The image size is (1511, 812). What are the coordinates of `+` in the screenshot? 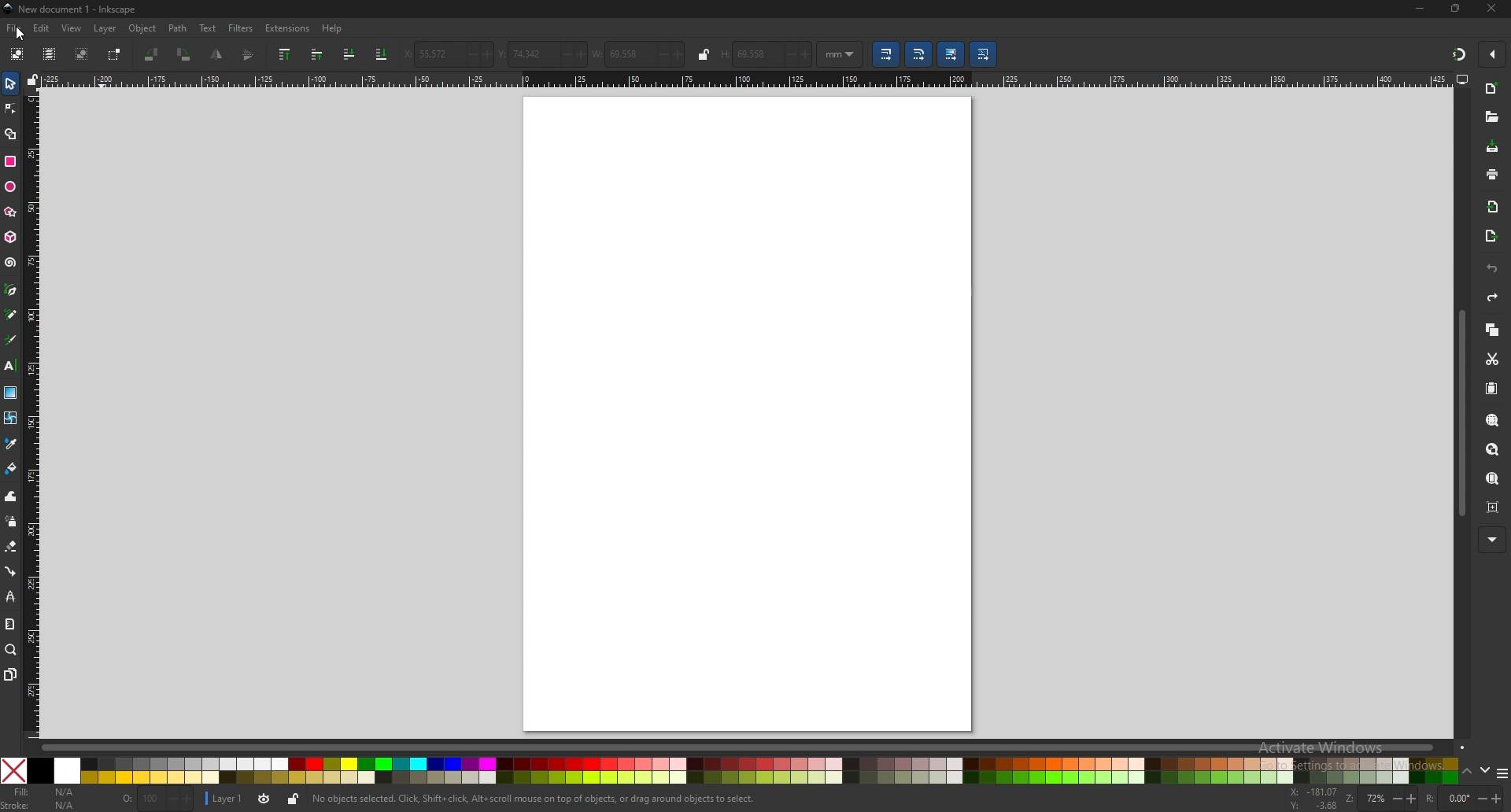 It's located at (1410, 799).